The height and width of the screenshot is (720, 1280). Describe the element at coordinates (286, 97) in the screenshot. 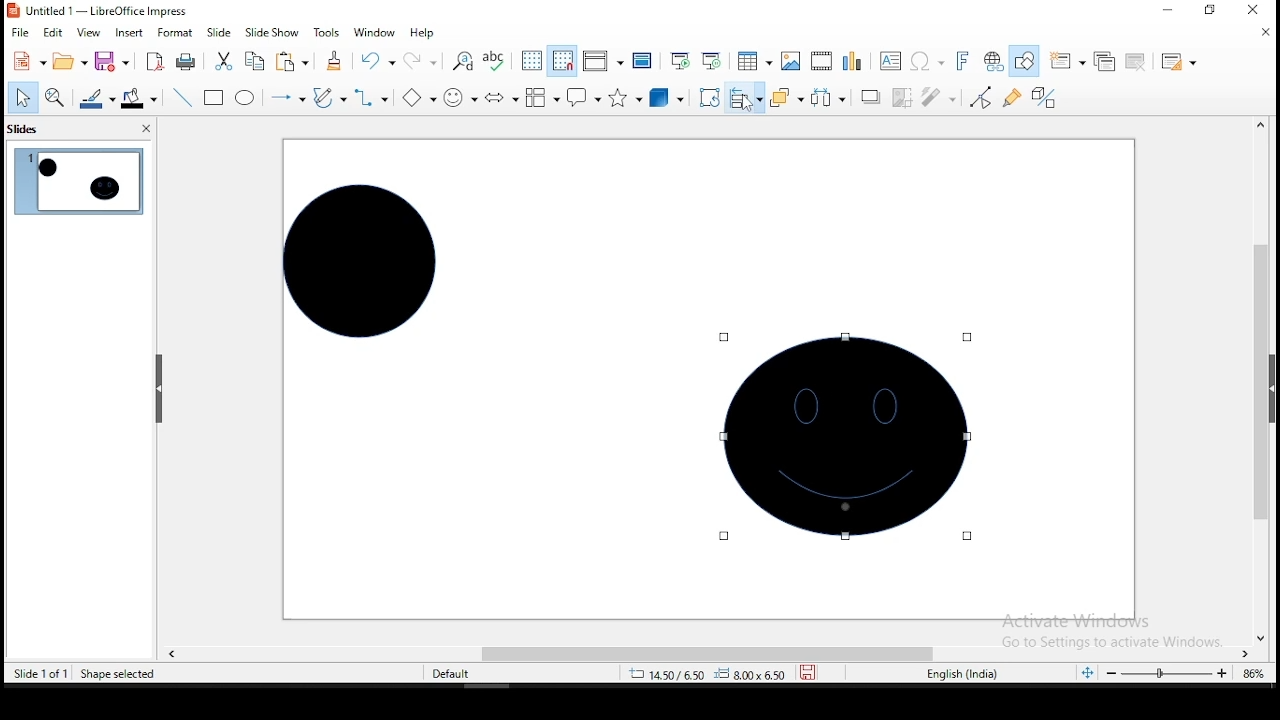

I see `lines and arrows` at that location.